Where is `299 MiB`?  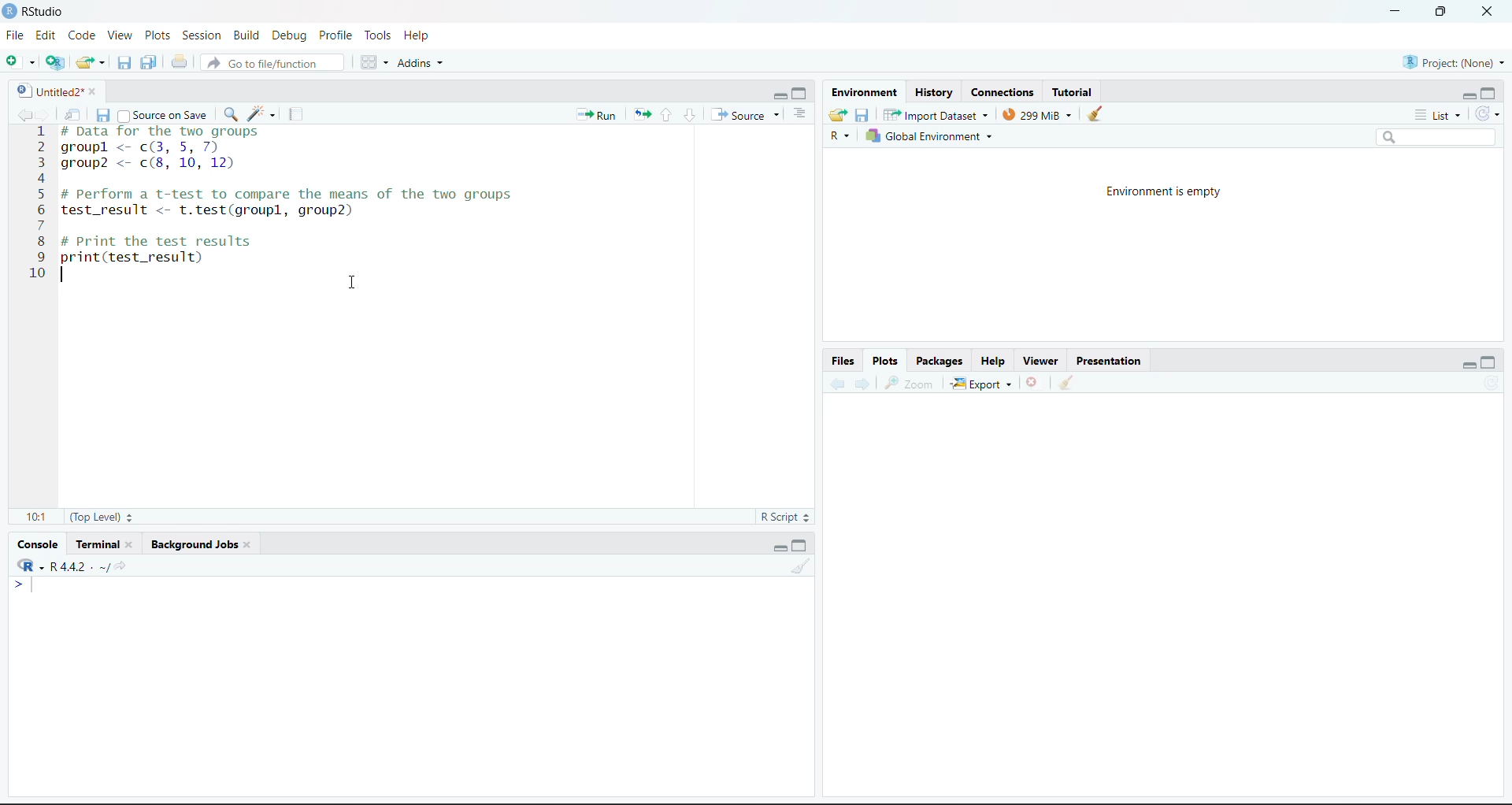
299 MiB is located at coordinates (1039, 114).